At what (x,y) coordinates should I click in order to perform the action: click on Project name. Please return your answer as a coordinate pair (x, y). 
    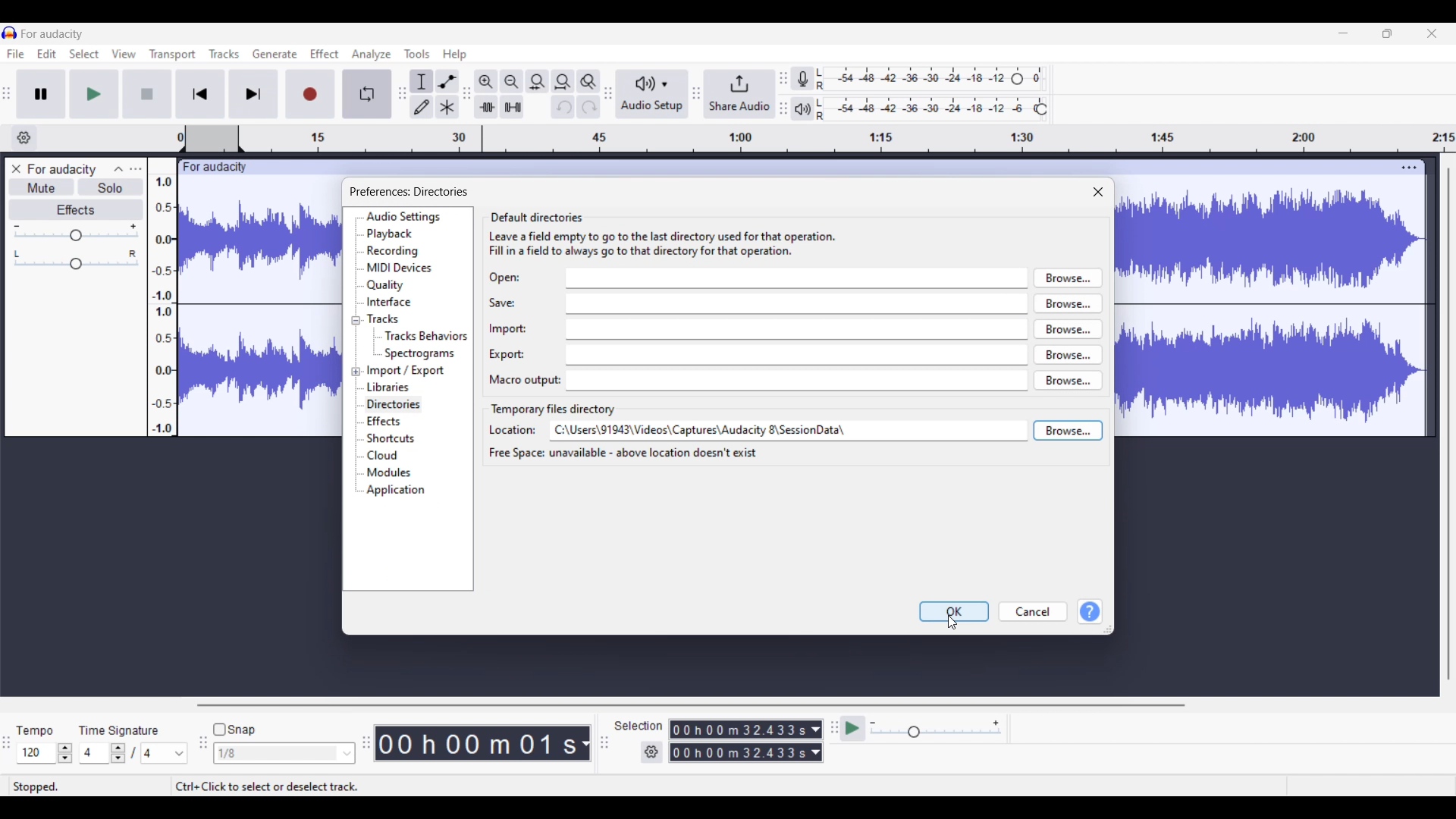
    Looking at the image, I should click on (215, 168).